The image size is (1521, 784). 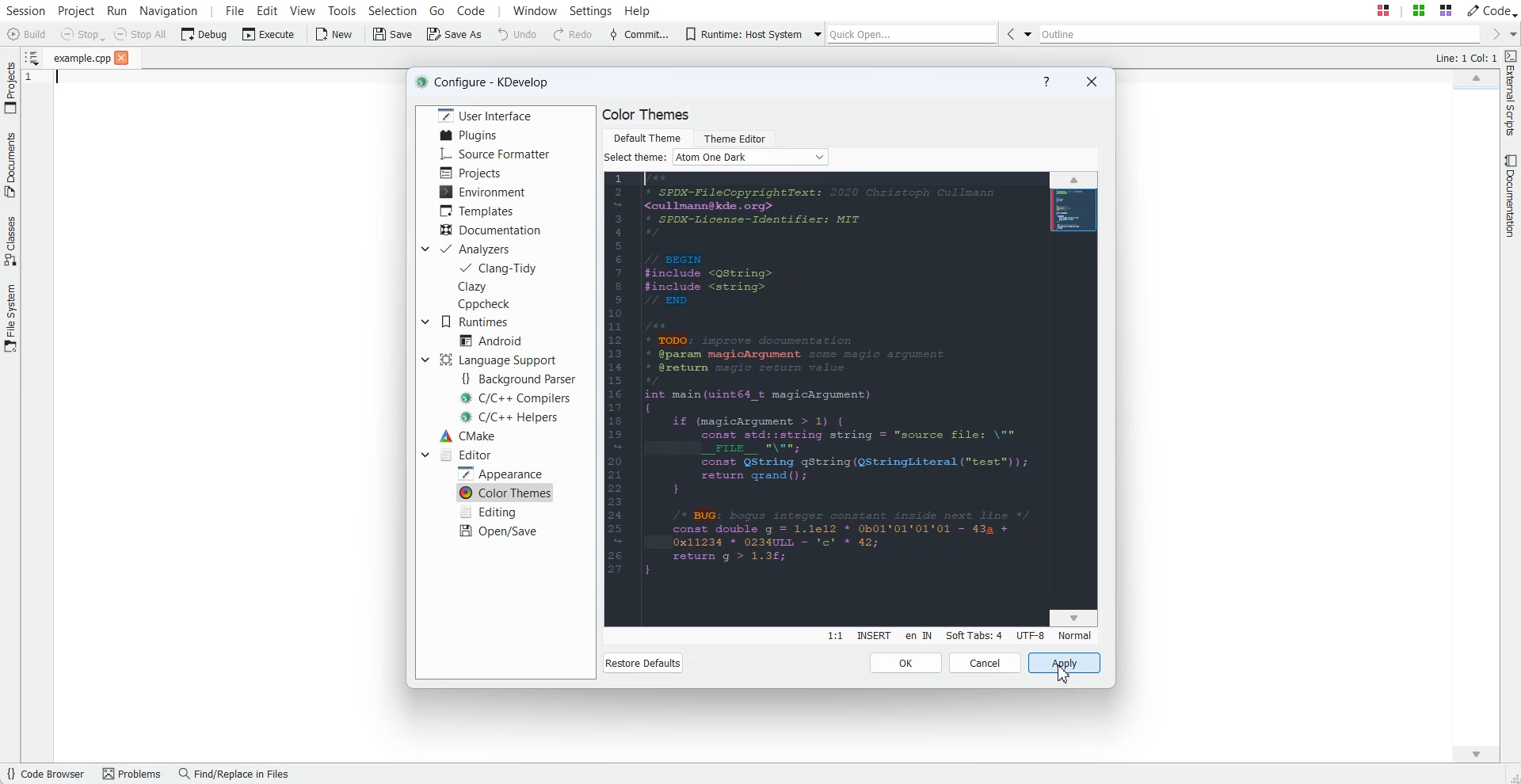 What do you see at coordinates (437, 10) in the screenshot?
I see `Go` at bounding box center [437, 10].